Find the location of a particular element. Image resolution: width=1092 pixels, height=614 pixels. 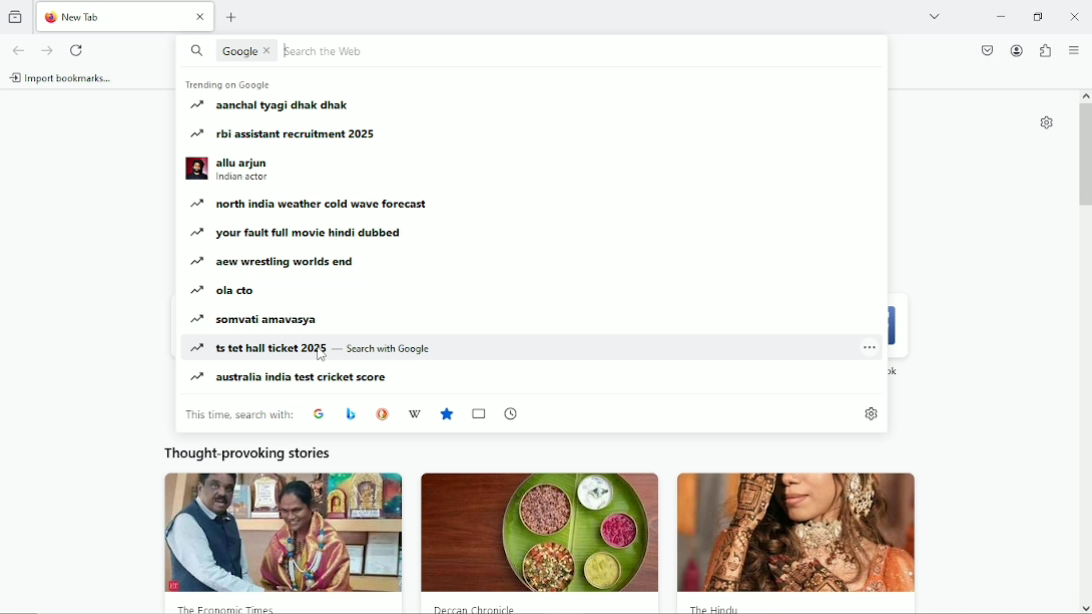

deccan chronicle is located at coordinates (483, 609).